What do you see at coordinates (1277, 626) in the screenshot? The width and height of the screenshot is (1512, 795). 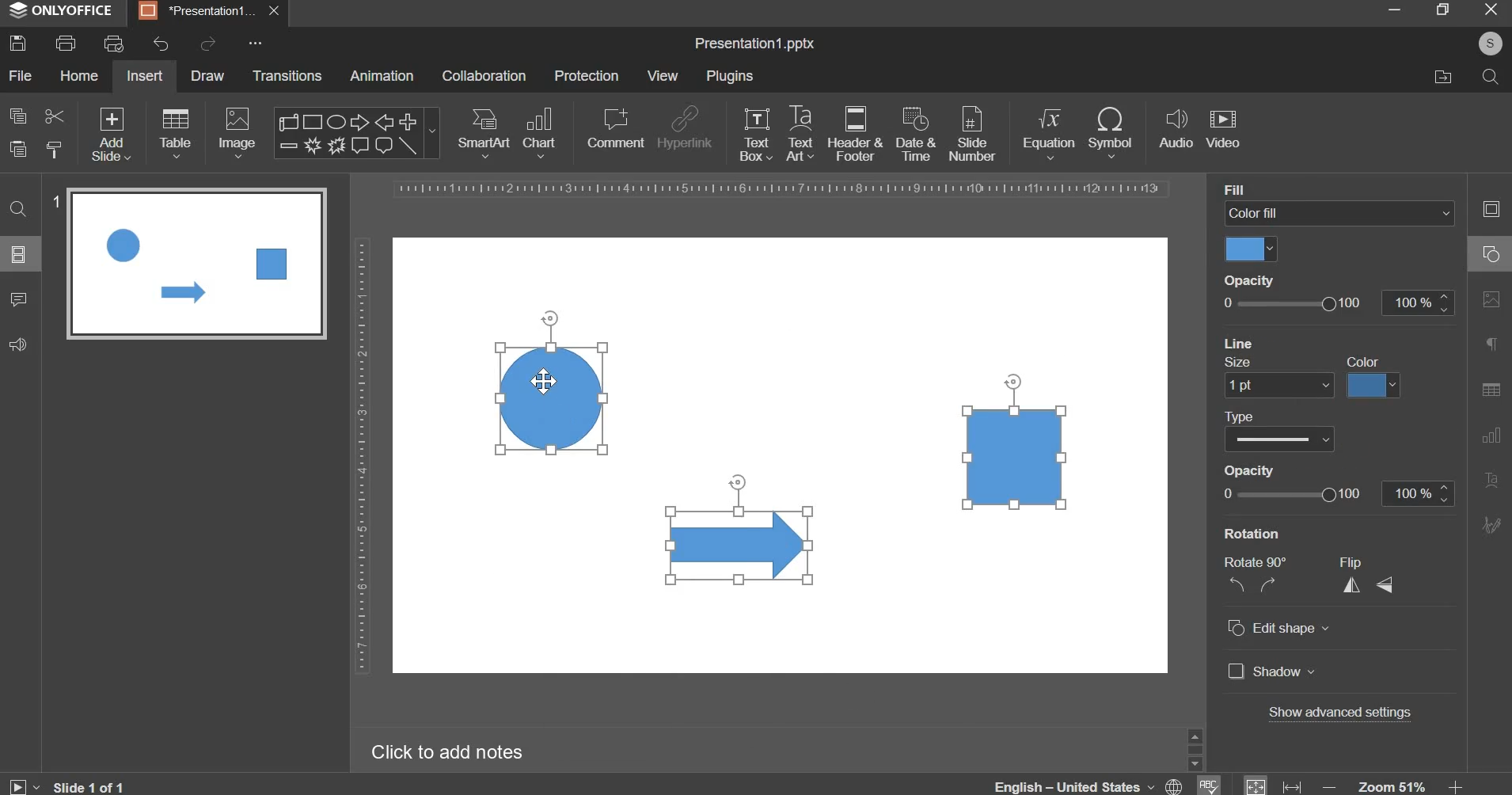 I see `edit shape` at bounding box center [1277, 626].